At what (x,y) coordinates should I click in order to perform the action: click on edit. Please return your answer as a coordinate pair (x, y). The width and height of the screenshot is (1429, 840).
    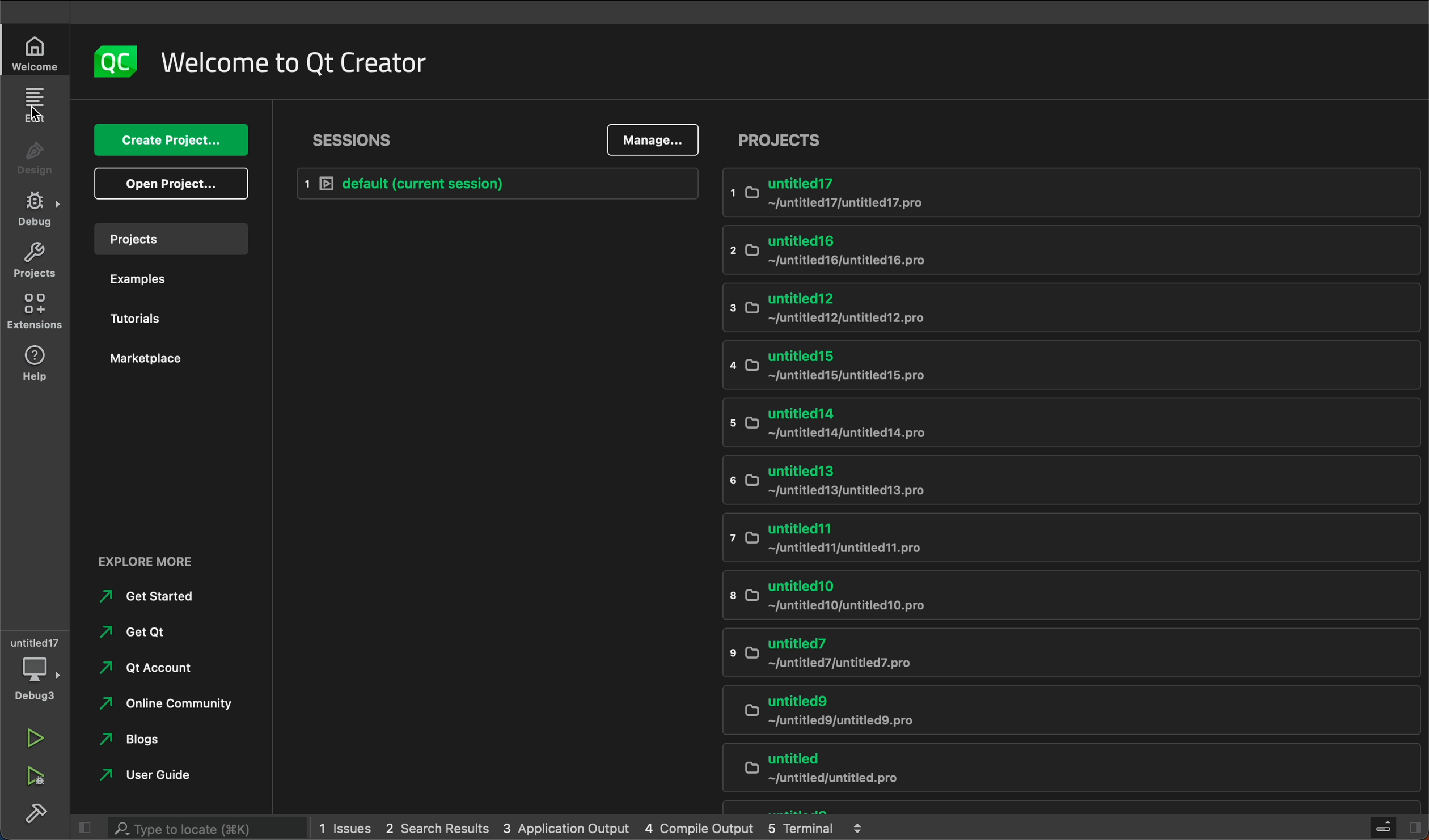
    Looking at the image, I should click on (39, 109).